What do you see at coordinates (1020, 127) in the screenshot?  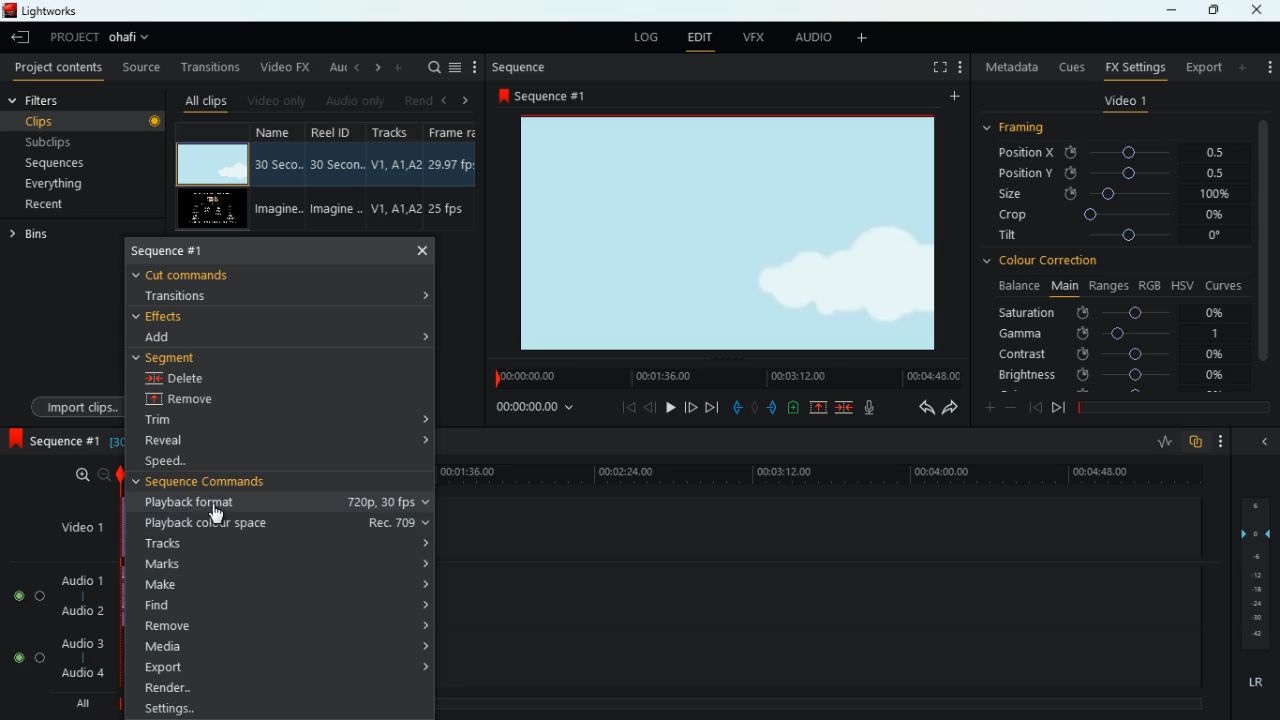 I see `framing` at bounding box center [1020, 127].